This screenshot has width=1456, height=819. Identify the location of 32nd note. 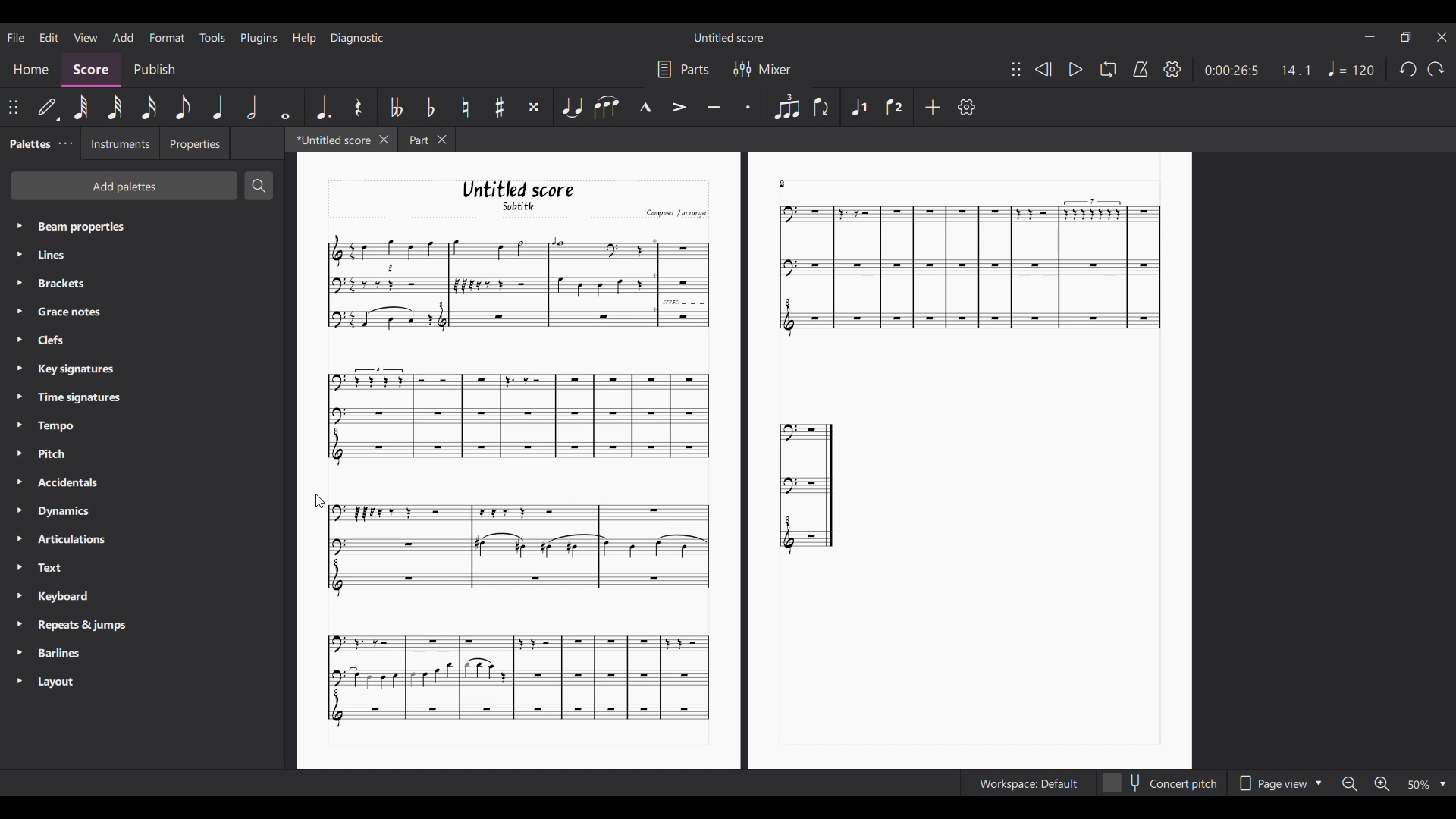
(115, 107).